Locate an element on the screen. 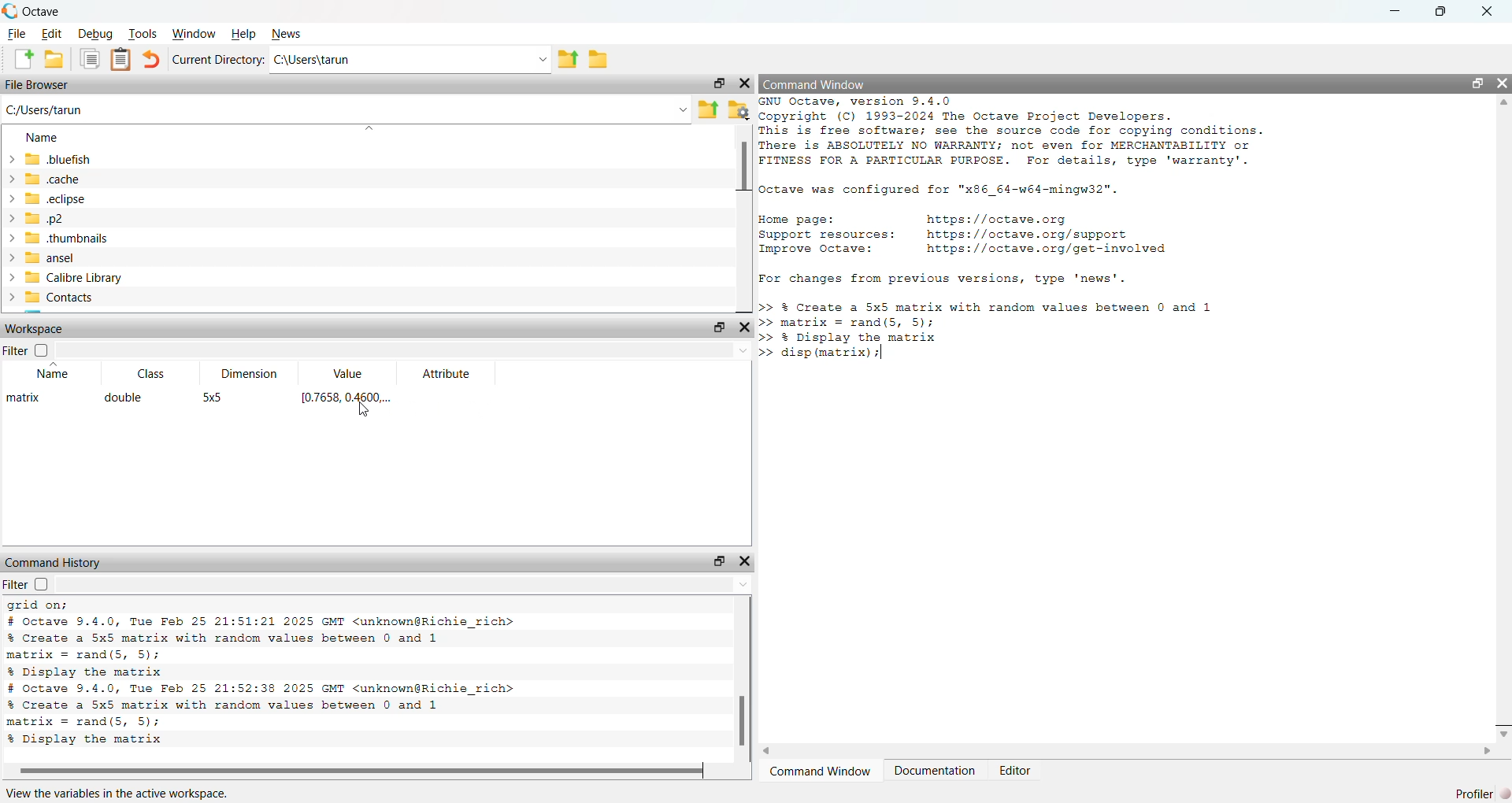 The height and width of the screenshot is (803, 1512). file is located at coordinates (600, 61).